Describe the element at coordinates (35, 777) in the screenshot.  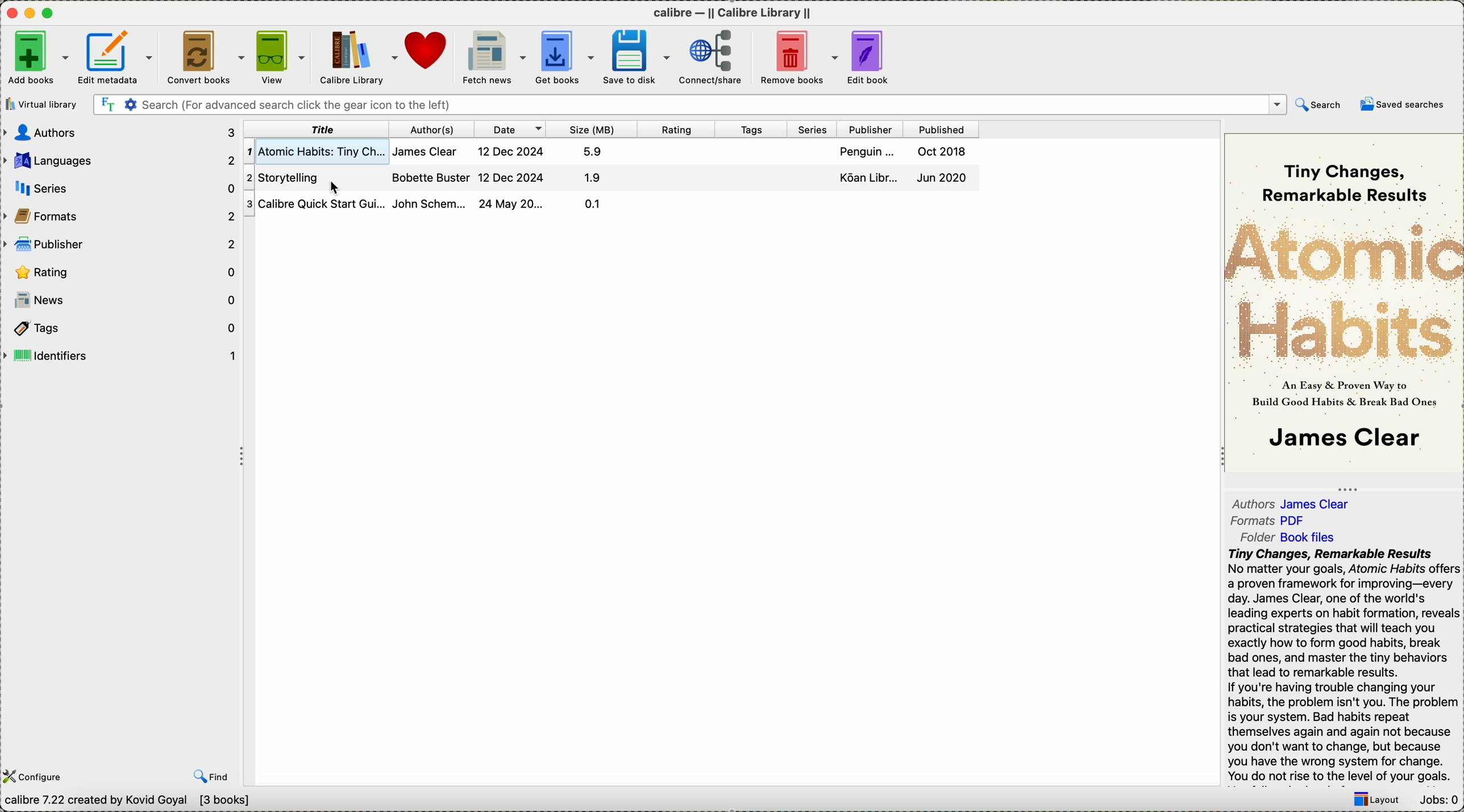
I see `configure` at that location.